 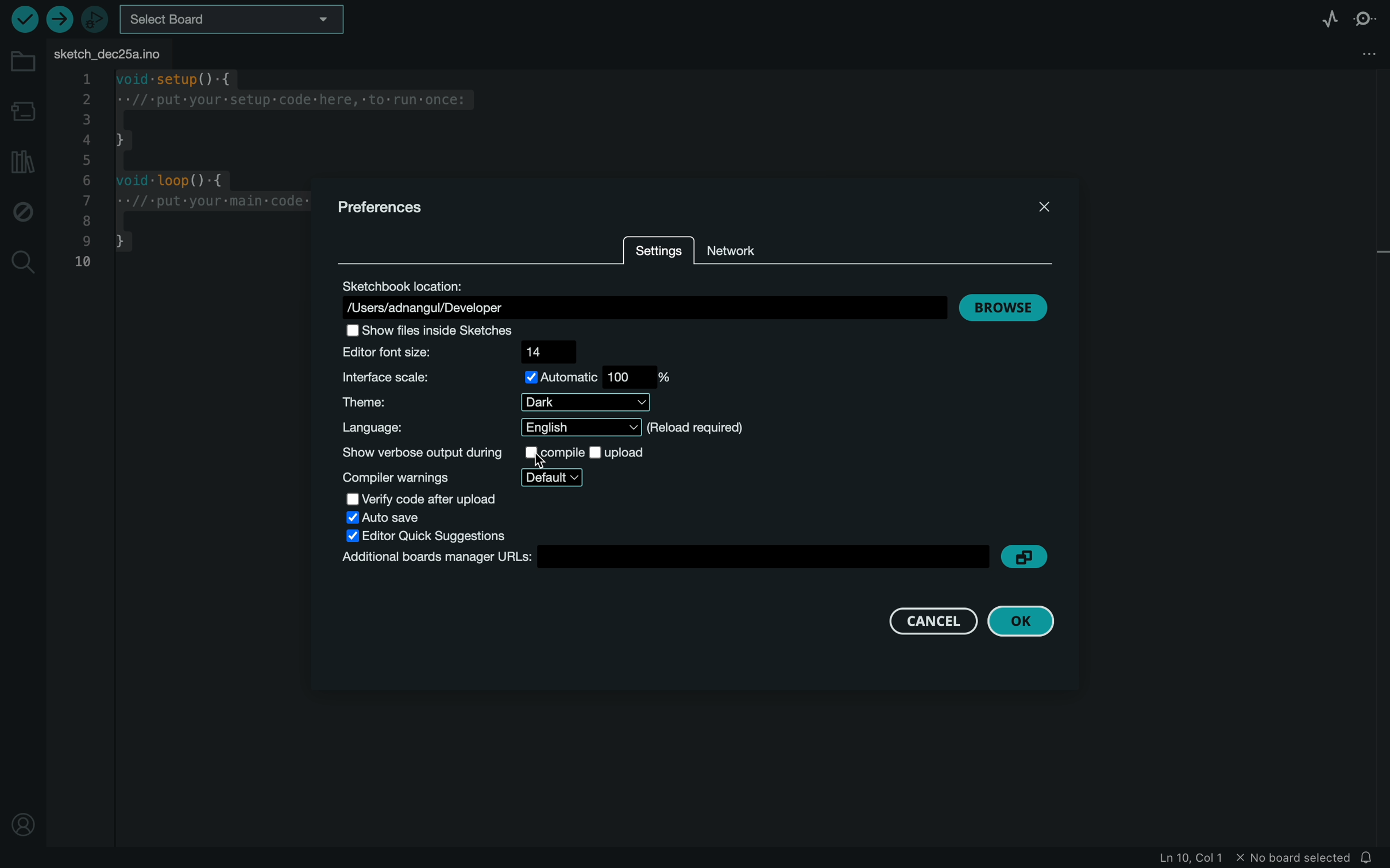 What do you see at coordinates (434, 499) in the screenshot?
I see `verify  code` at bounding box center [434, 499].